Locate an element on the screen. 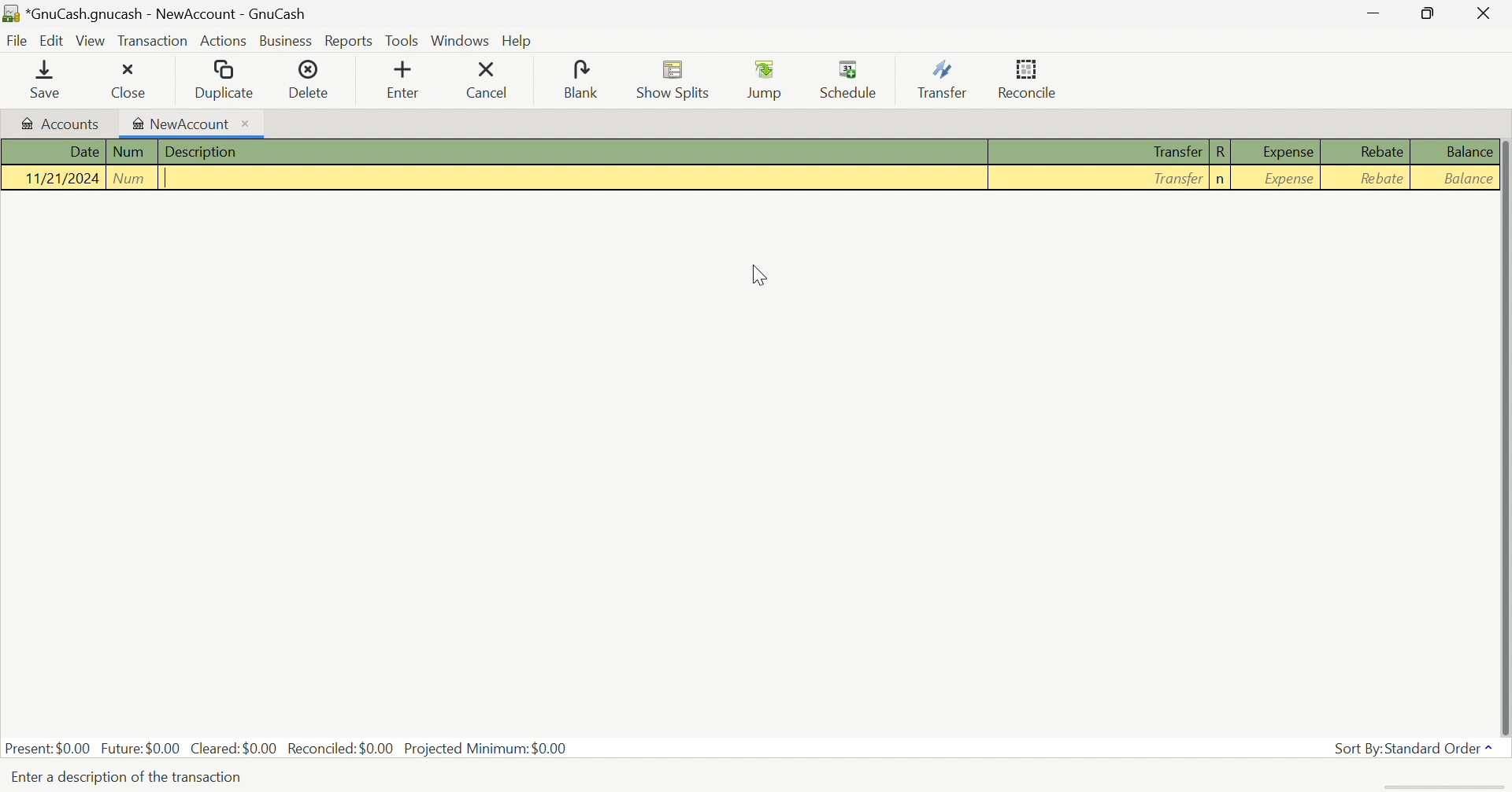 This screenshot has height=792, width=1512. 100.00 is located at coordinates (1471, 179).